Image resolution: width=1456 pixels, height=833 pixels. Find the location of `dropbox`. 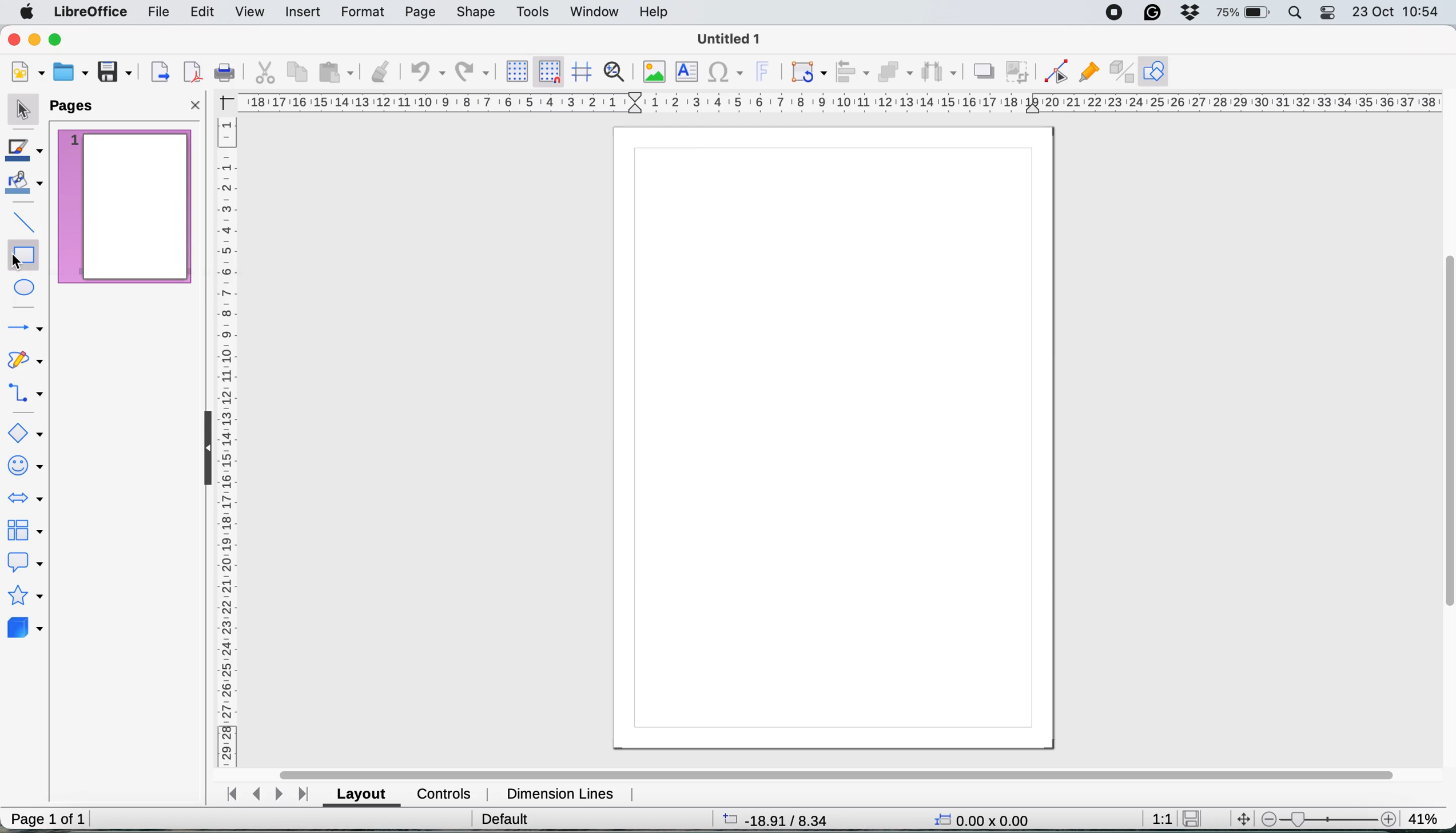

dropbox is located at coordinates (1189, 12).